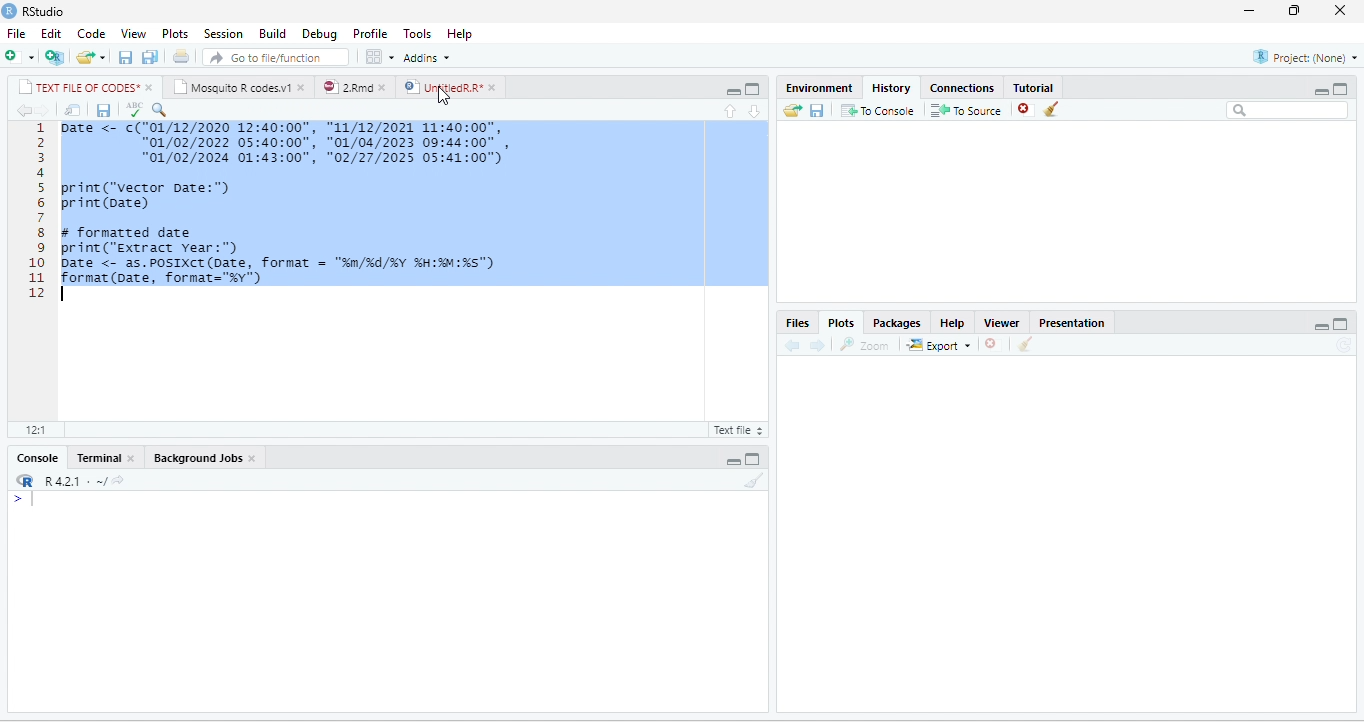 This screenshot has height=722, width=1364. What do you see at coordinates (891, 89) in the screenshot?
I see `History` at bounding box center [891, 89].